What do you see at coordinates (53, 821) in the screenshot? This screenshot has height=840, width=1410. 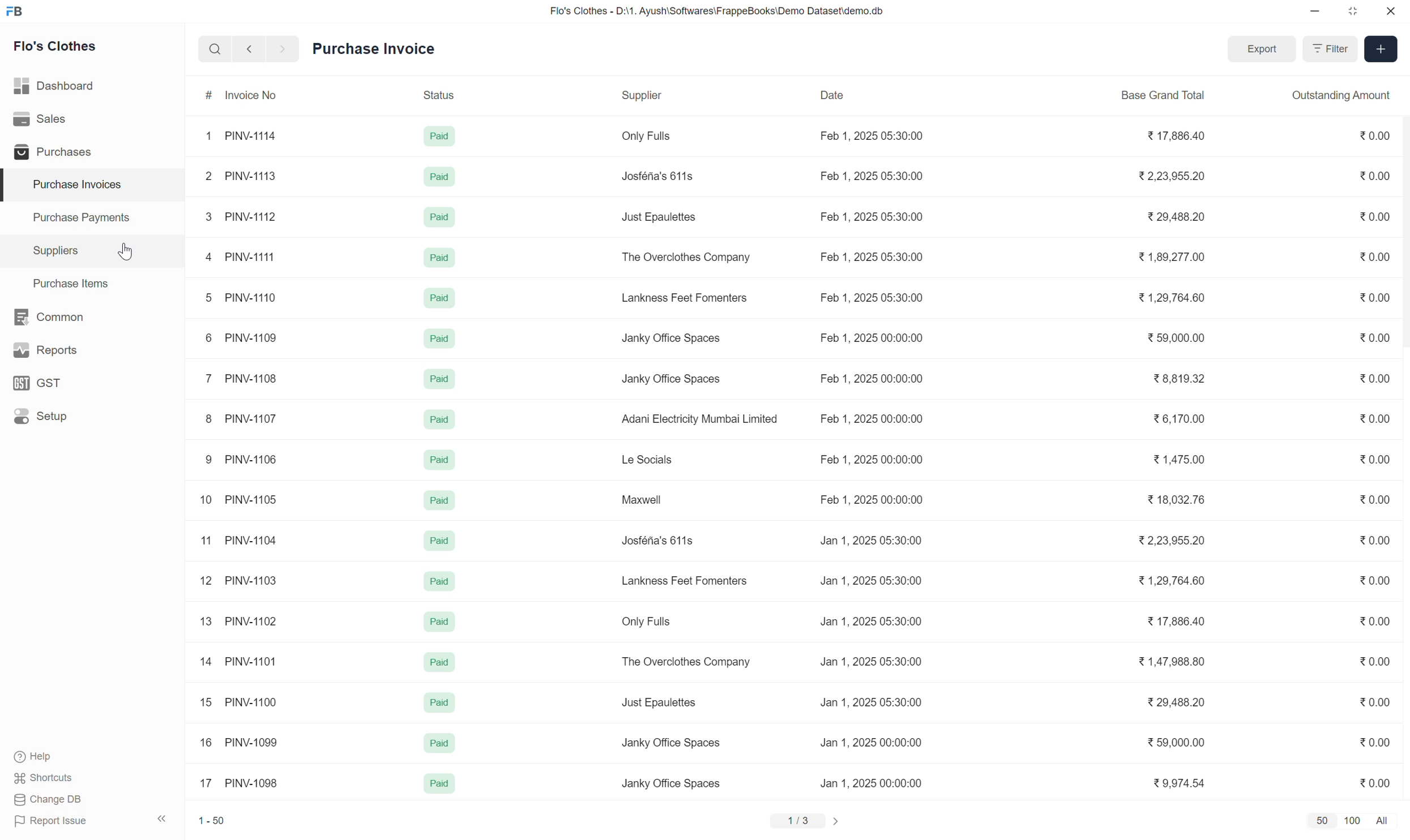 I see `Report Issue` at bounding box center [53, 821].